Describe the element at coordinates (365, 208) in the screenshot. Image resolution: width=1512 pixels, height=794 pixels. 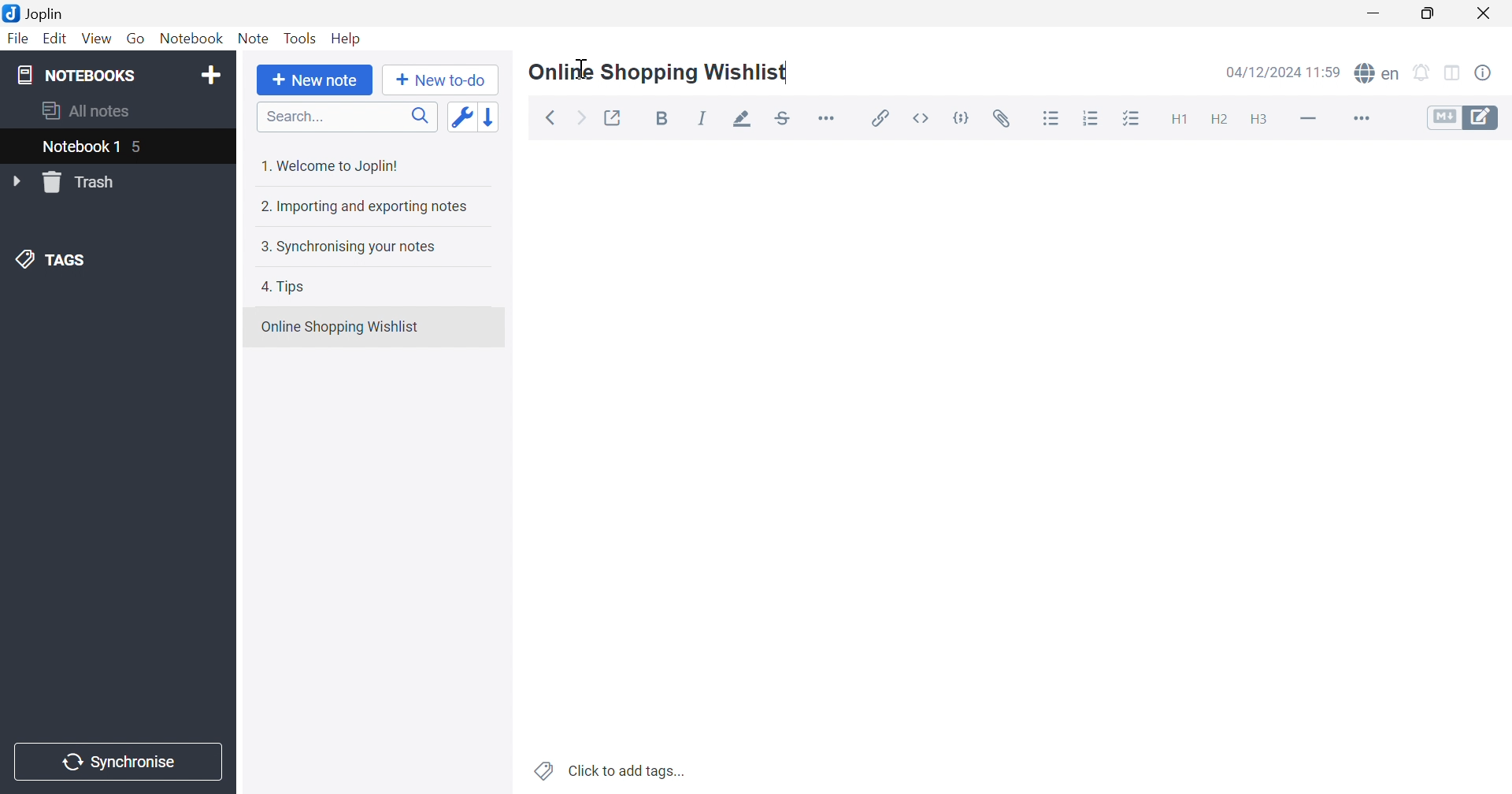
I see `2. Importing and exporting notes` at that location.